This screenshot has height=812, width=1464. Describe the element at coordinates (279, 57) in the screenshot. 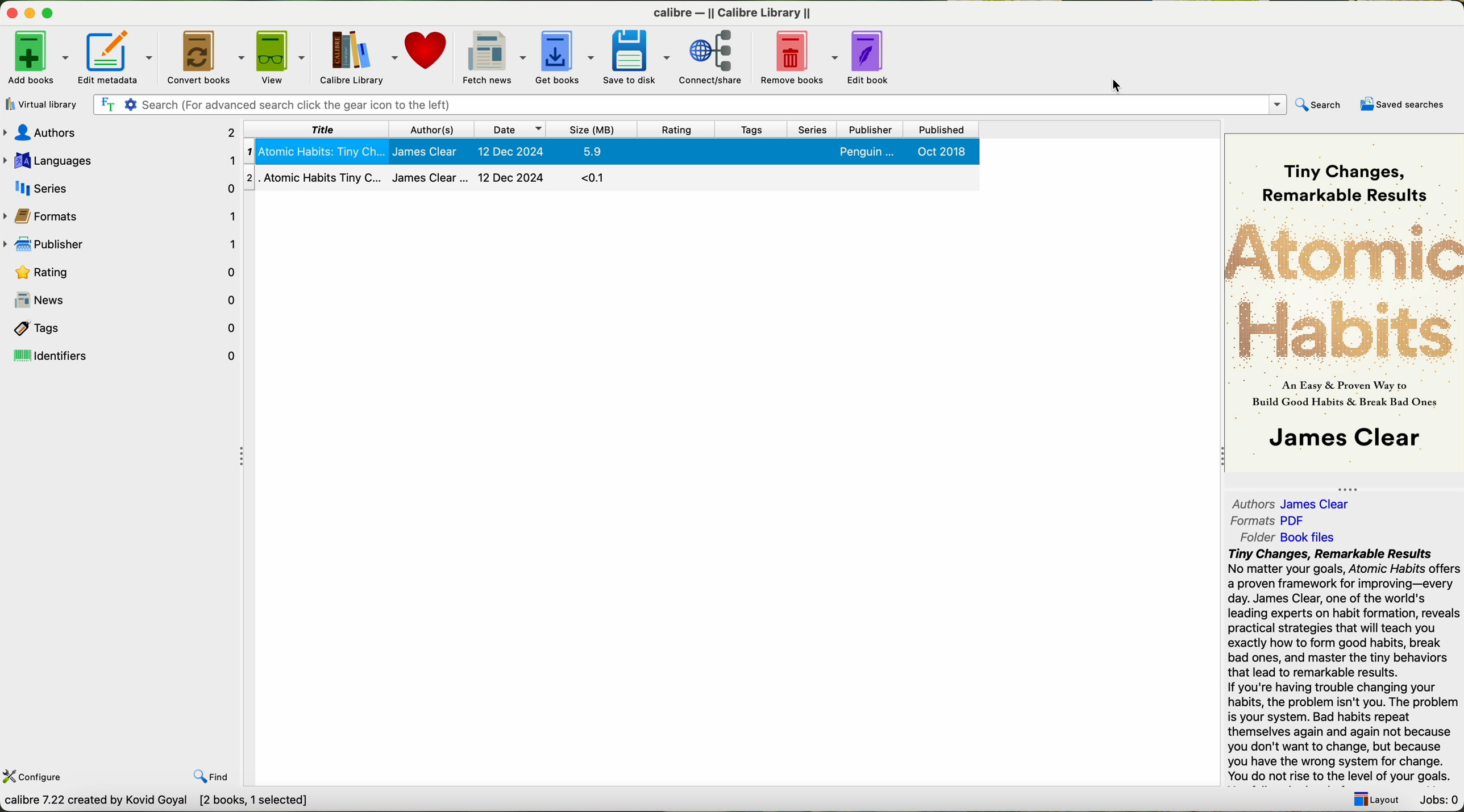

I see `view` at that location.